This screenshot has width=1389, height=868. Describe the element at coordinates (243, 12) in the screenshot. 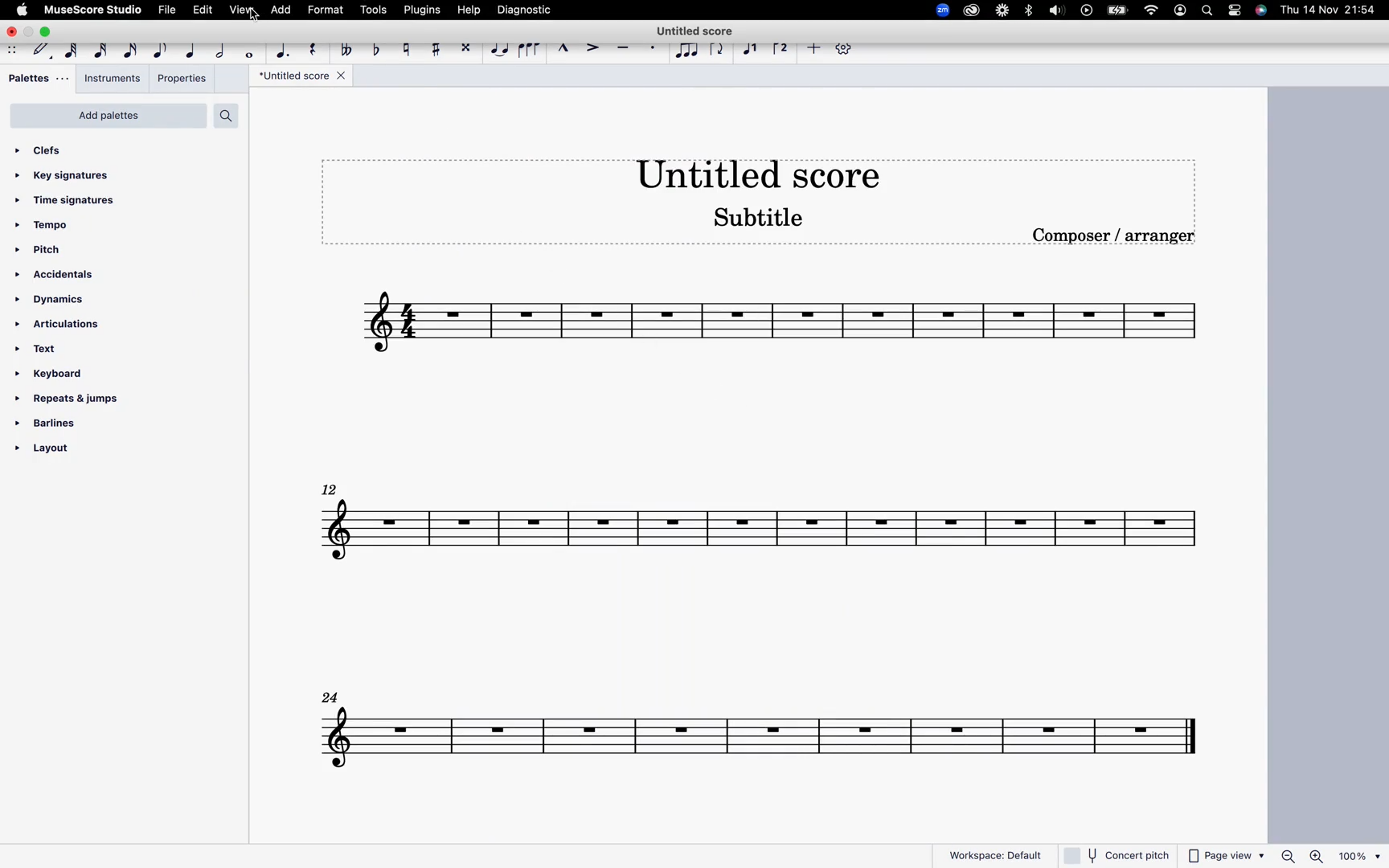

I see `view` at that location.